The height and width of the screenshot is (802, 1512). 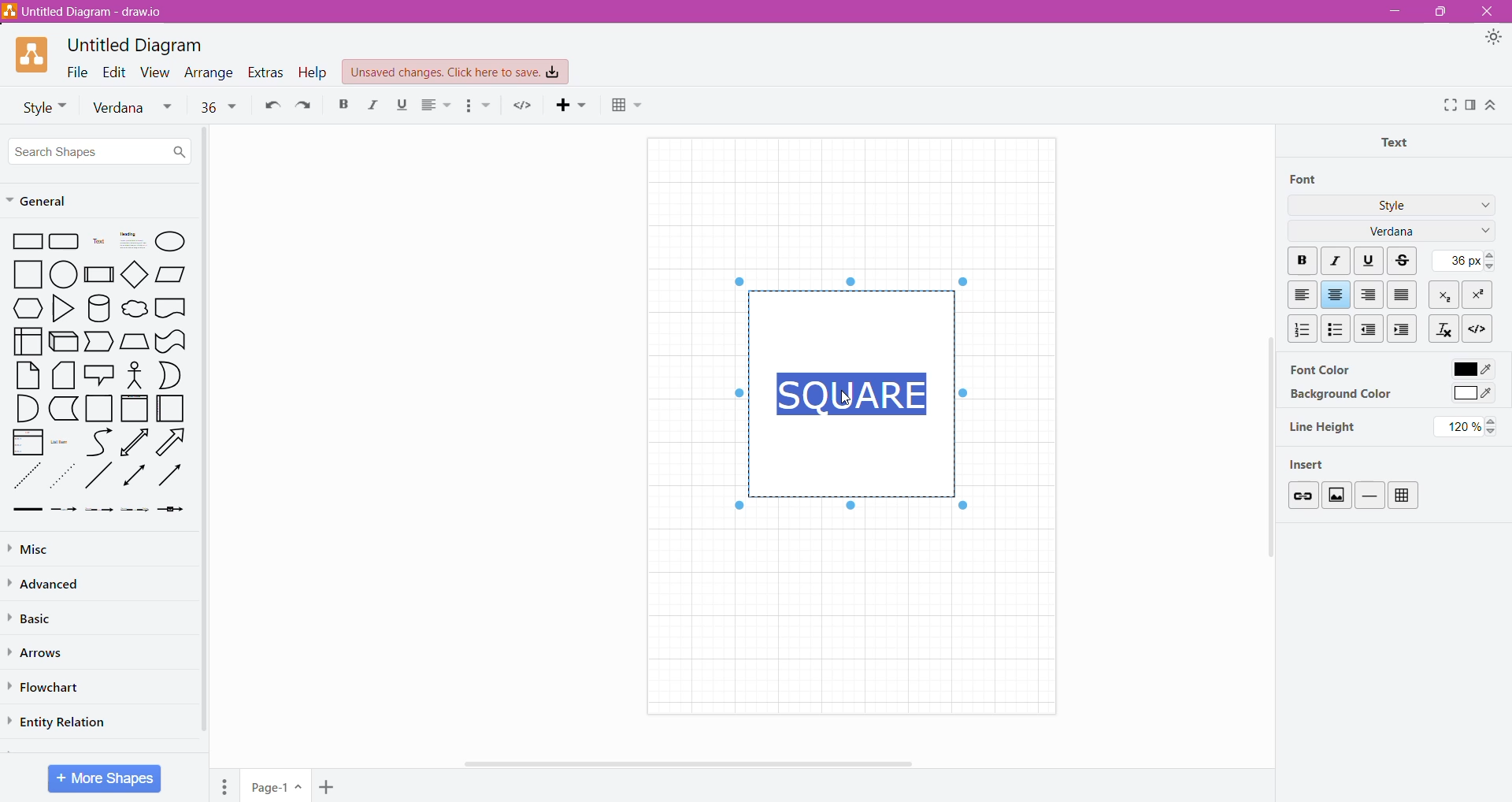 I want to click on cloud, so click(x=134, y=310).